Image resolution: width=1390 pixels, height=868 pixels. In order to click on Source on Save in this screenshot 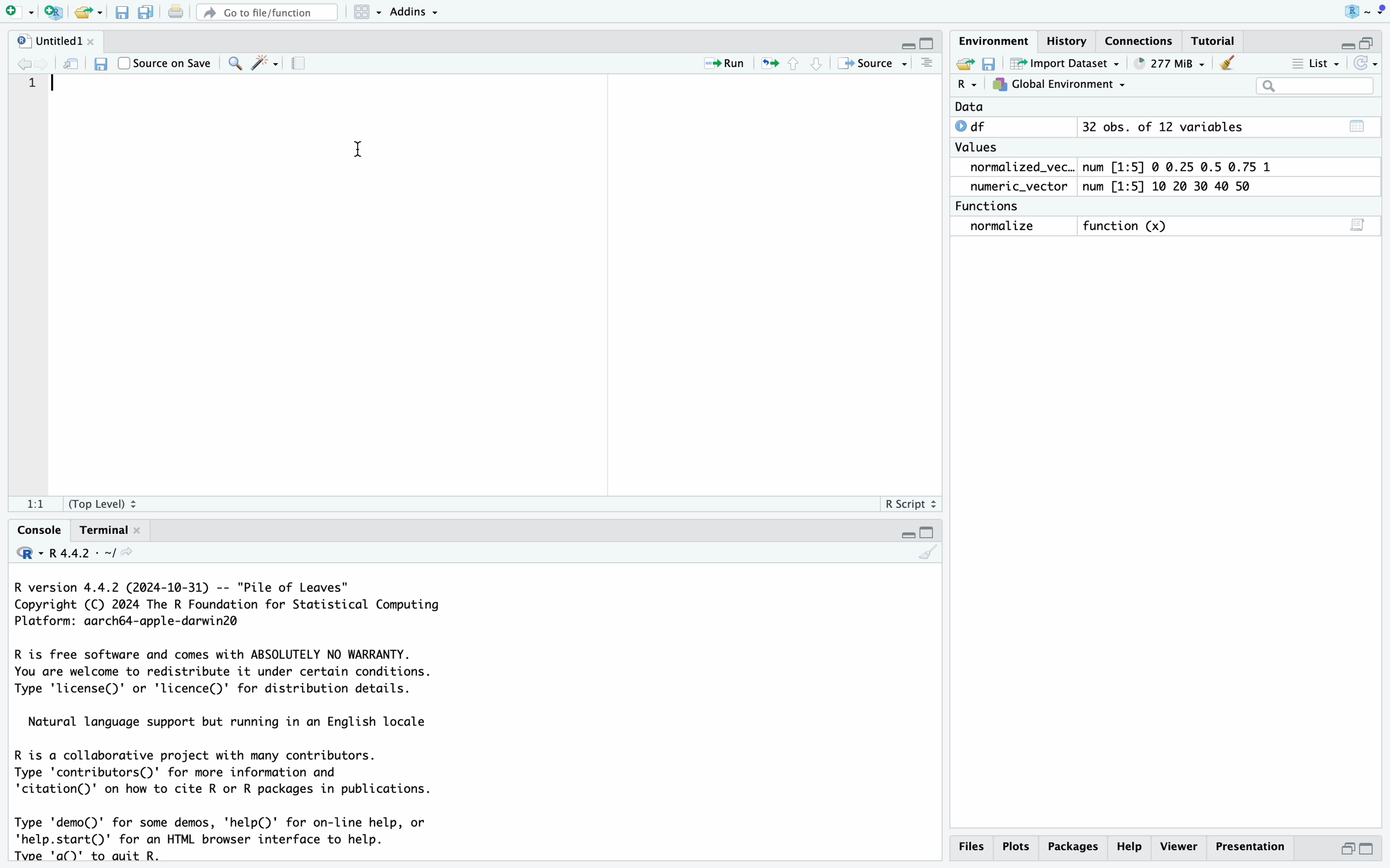, I will do `click(166, 63)`.